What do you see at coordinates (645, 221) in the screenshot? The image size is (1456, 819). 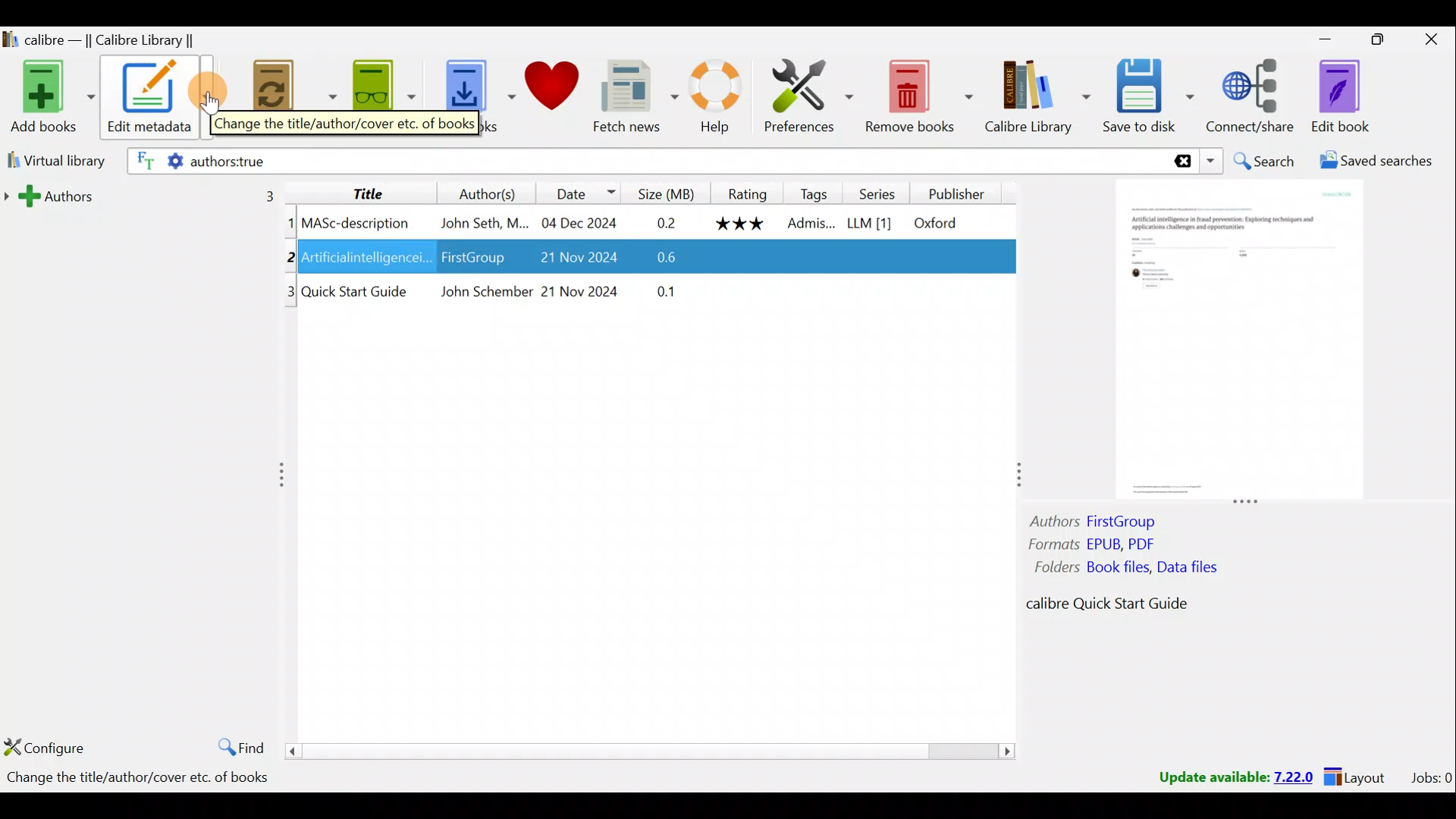 I see `Book 1` at bounding box center [645, 221].